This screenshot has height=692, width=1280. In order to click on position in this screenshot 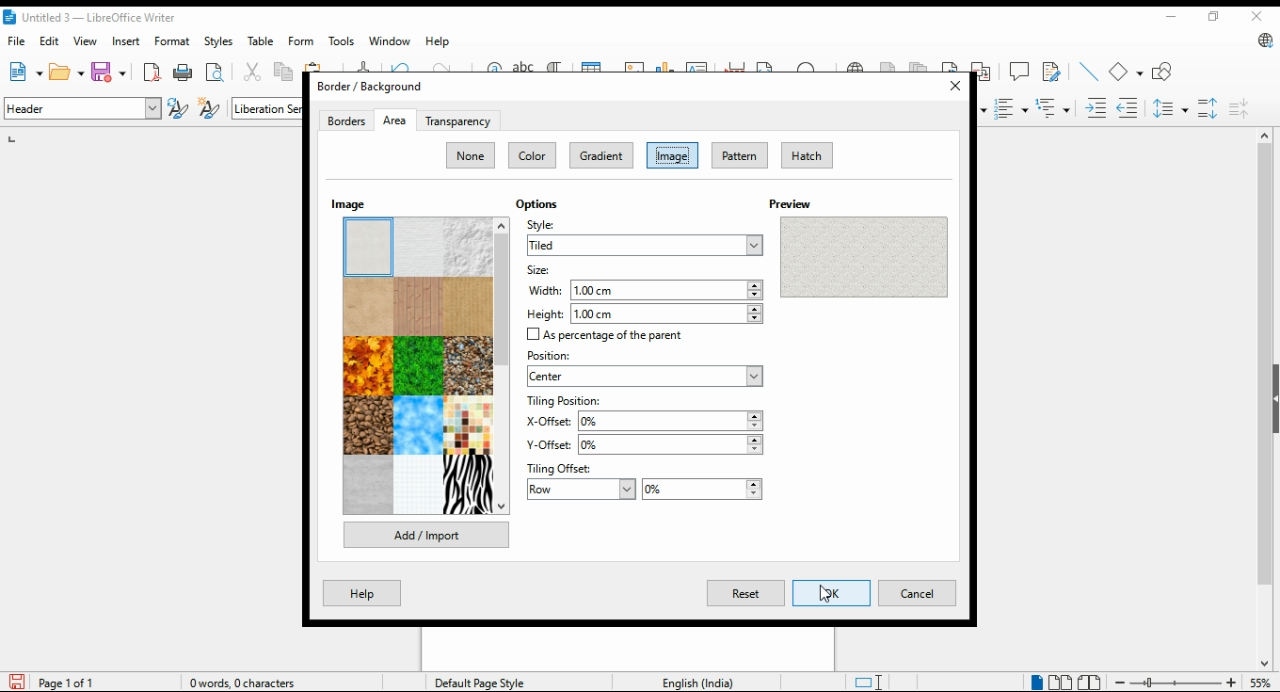, I will do `click(646, 369)`.